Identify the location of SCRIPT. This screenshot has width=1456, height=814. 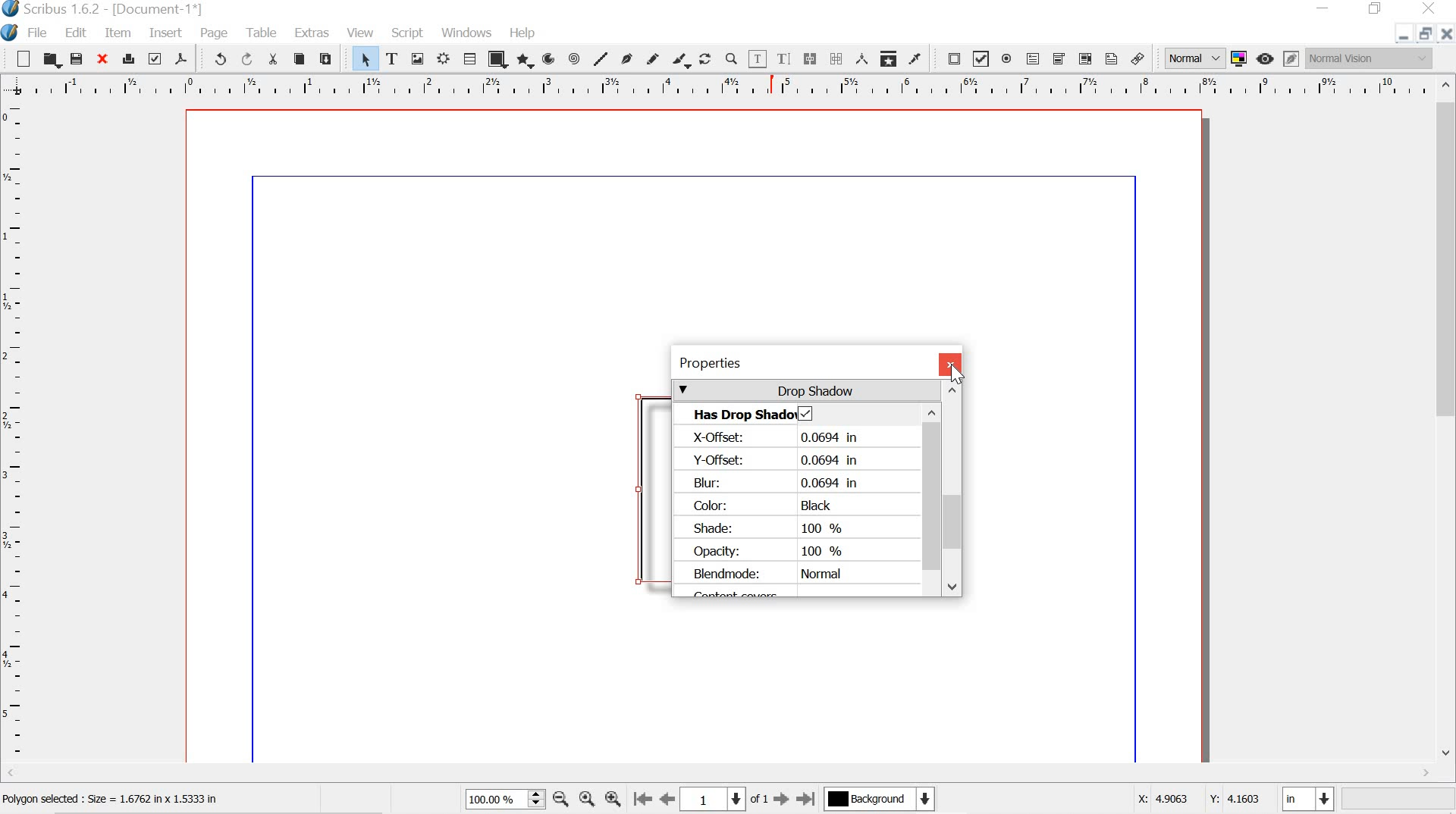
(408, 31).